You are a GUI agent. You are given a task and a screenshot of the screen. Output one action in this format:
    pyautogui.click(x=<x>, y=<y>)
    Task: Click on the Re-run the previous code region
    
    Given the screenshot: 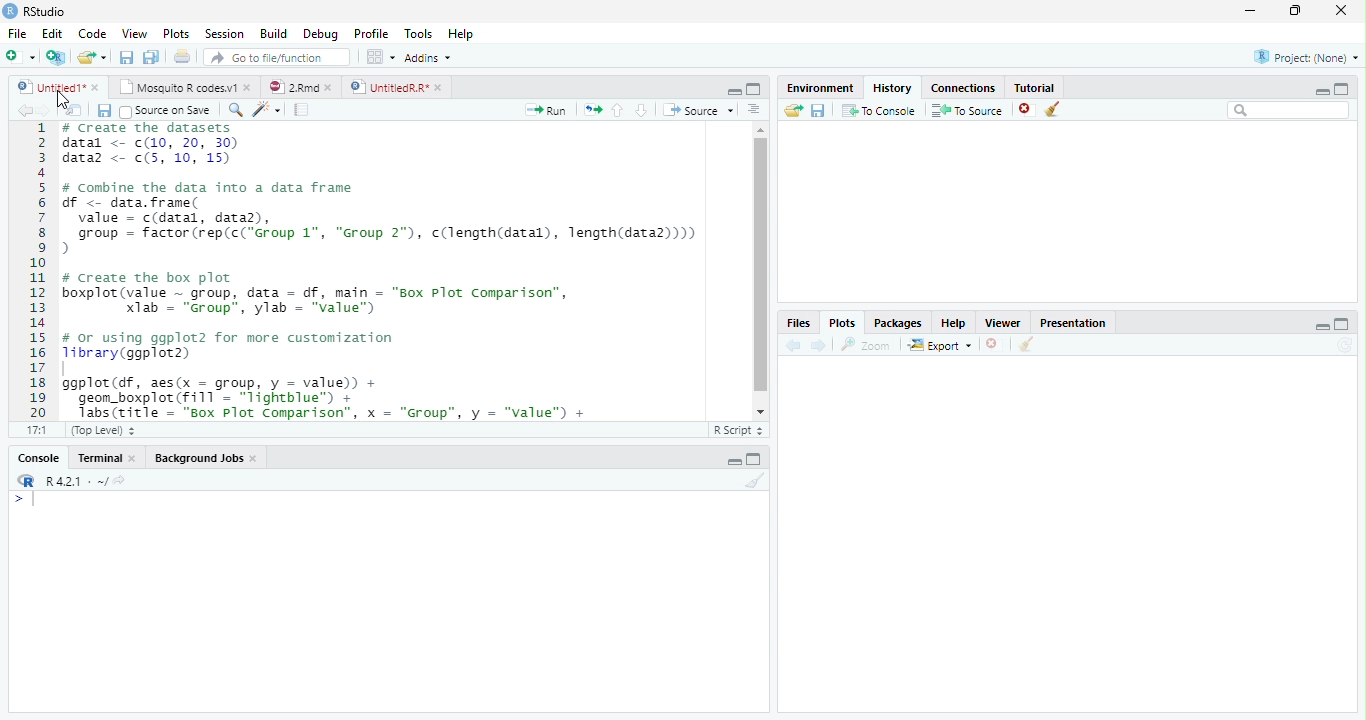 What is the action you would take?
    pyautogui.click(x=592, y=110)
    